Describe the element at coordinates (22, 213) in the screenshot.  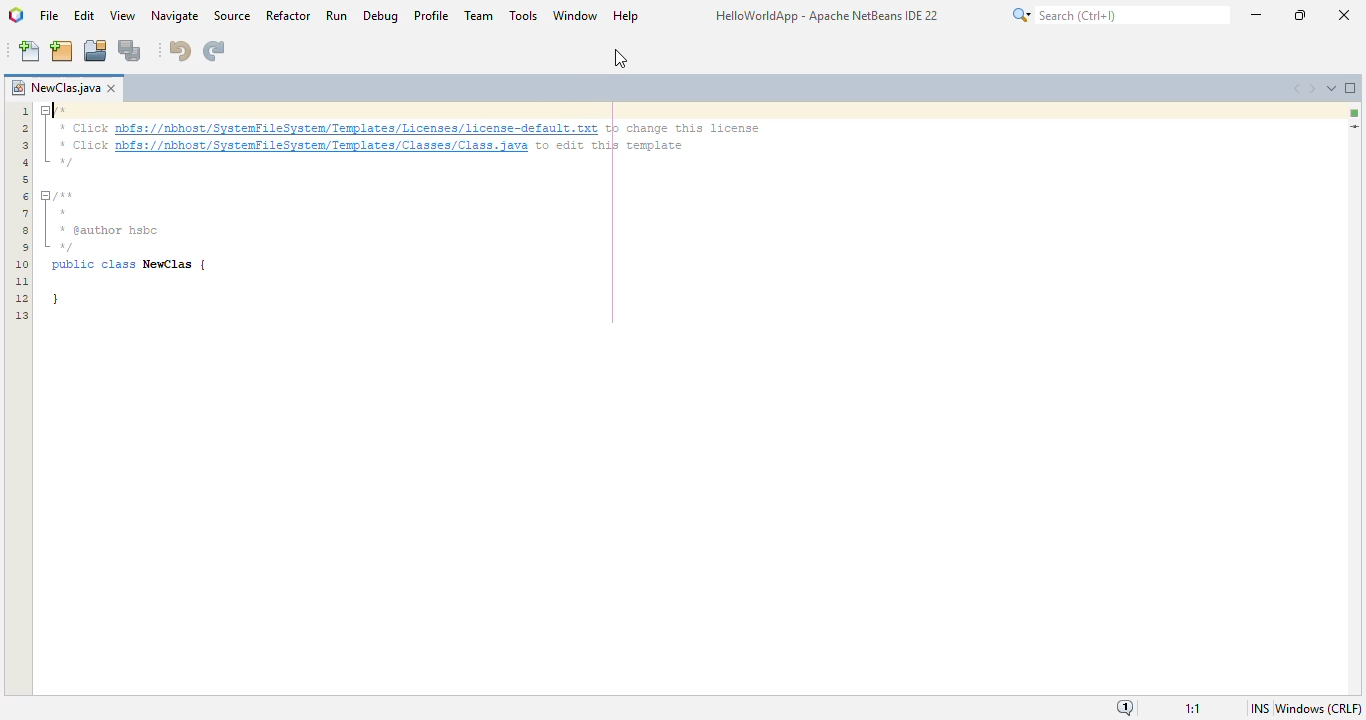
I see `line numbers` at that location.